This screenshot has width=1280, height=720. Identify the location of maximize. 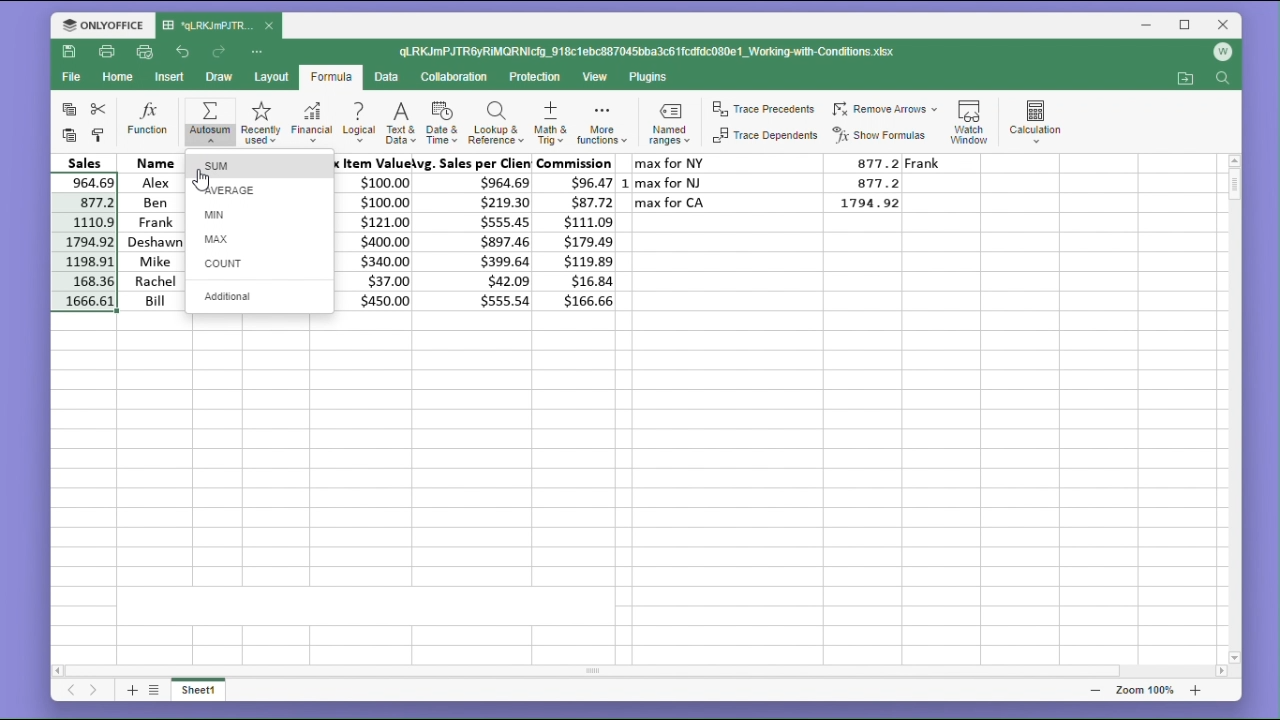
(1186, 24).